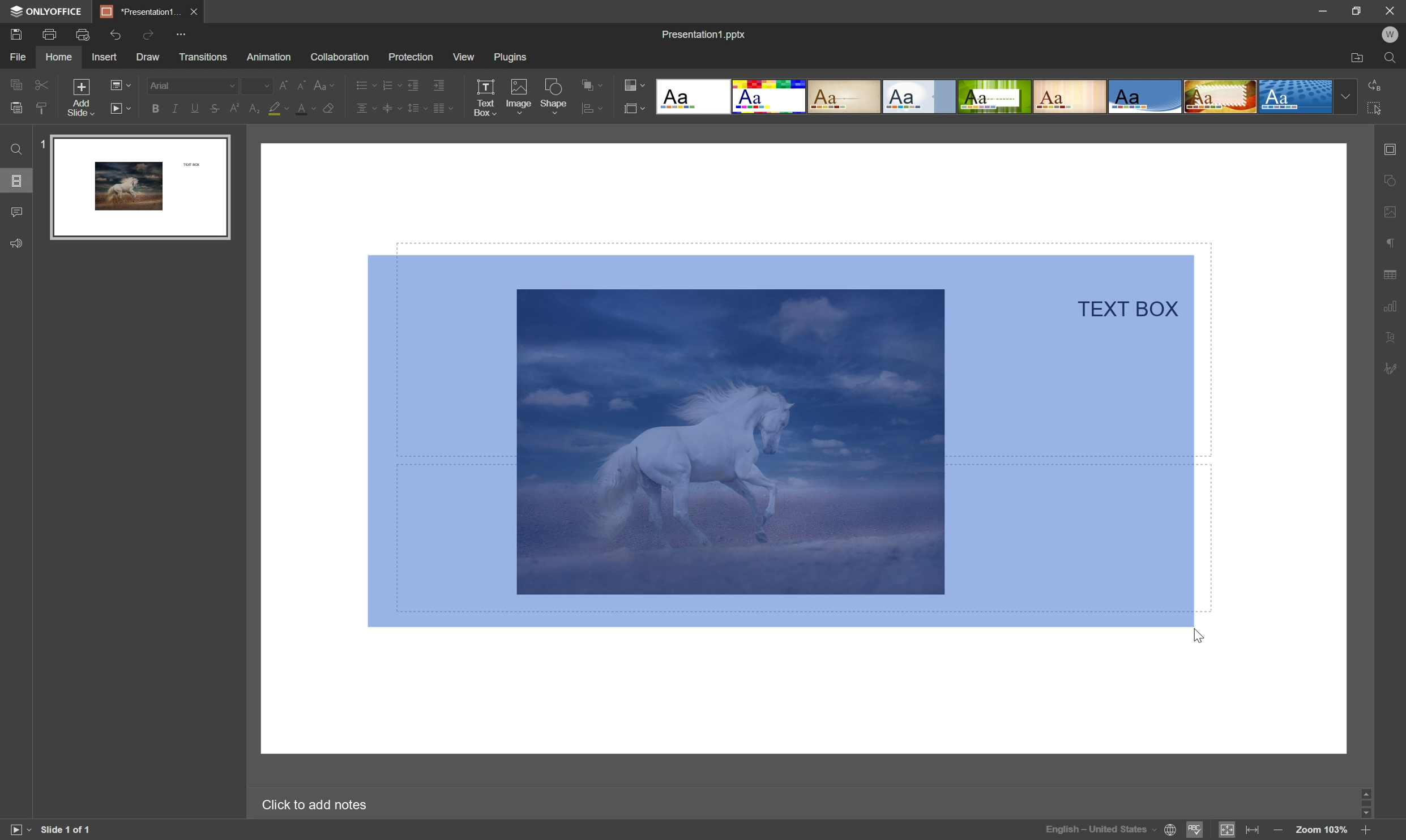 This screenshot has height=840, width=1406. What do you see at coordinates (269, 57) in the screenshot?
I see `animation` at bounding box center [269, 57].